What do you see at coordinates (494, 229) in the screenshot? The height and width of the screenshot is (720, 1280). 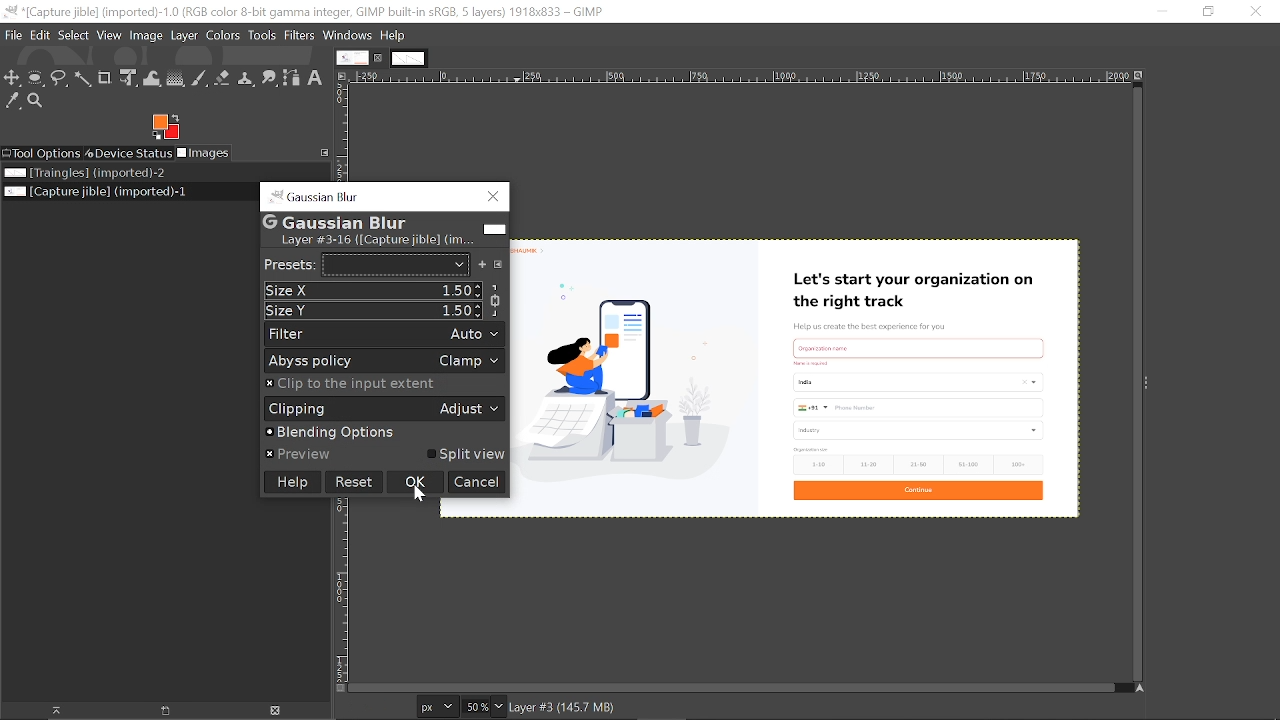 I see `Indicate layer color` at bounding box center [494, 229].